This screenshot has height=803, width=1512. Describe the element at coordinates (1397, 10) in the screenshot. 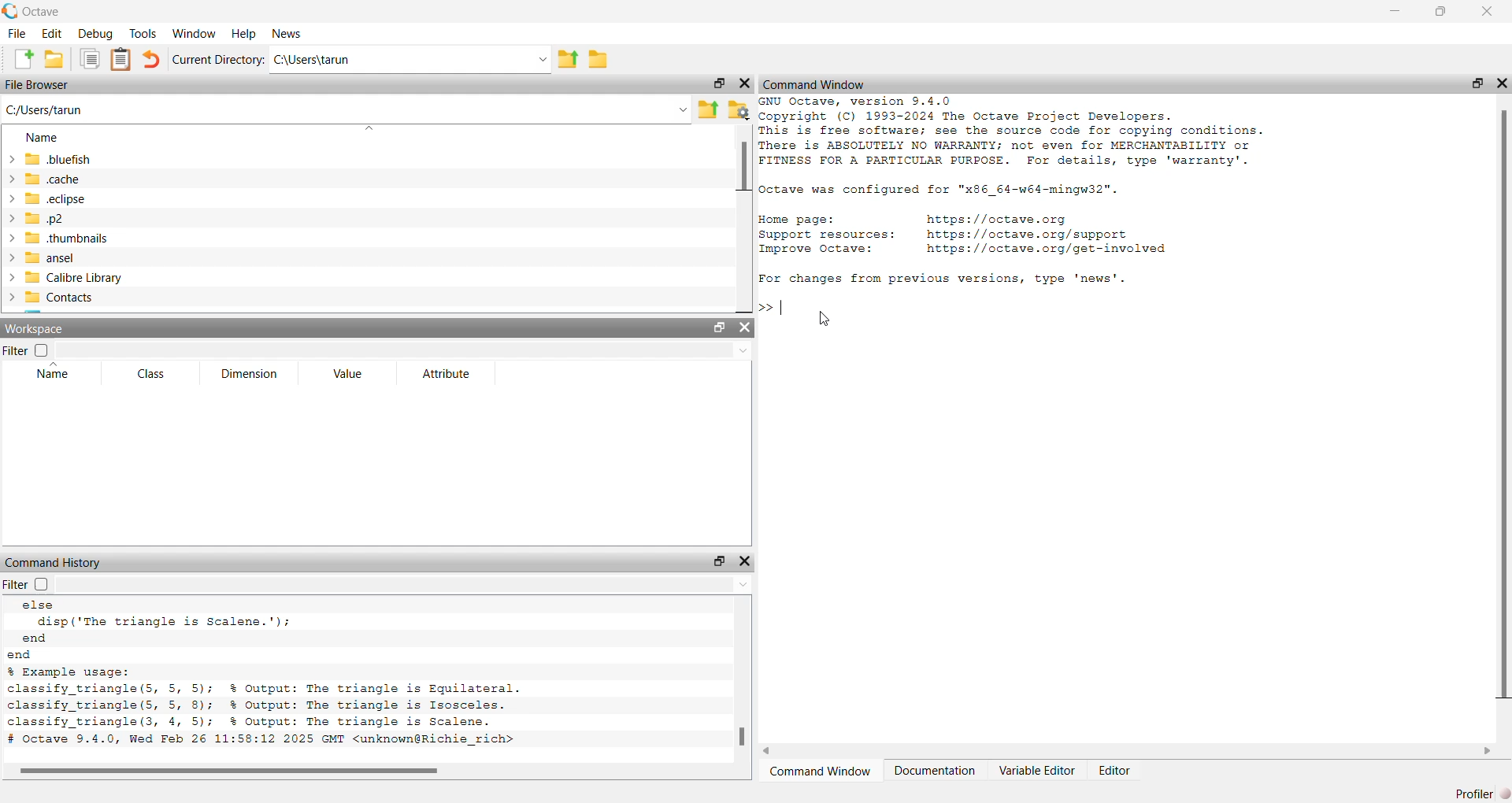

I see `minimize` at that location.